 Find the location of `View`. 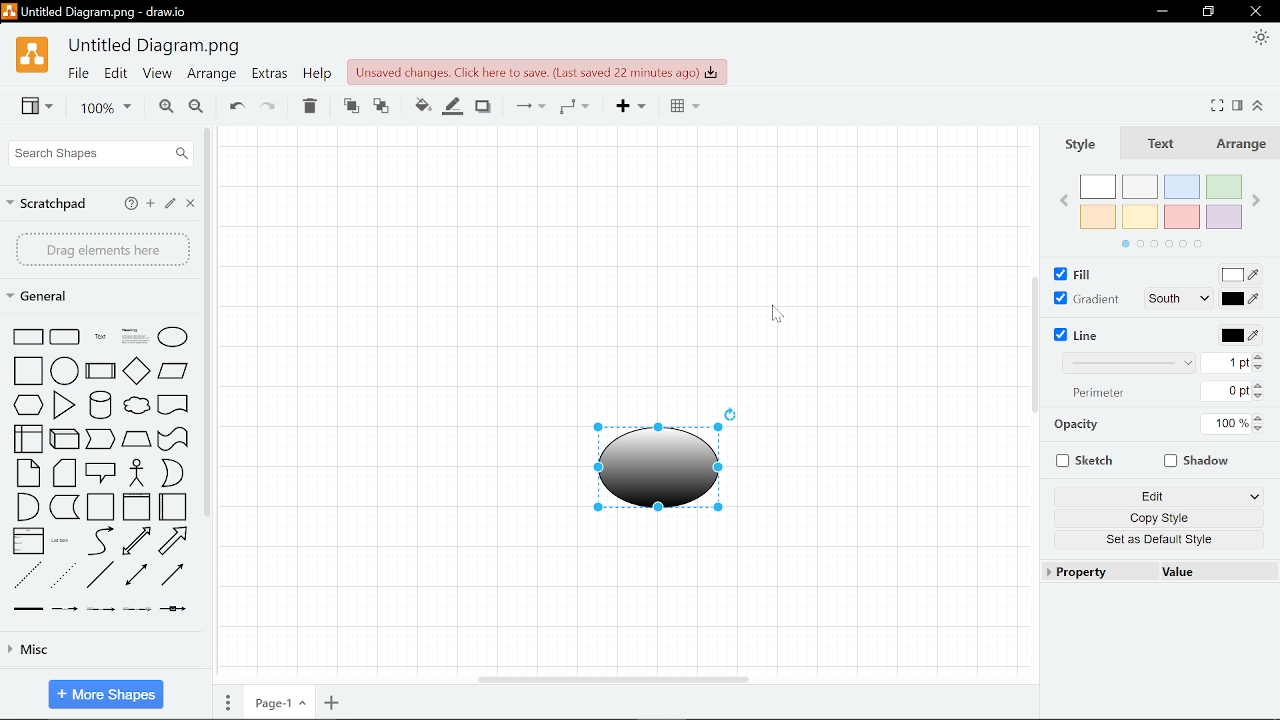

View is located at coordinates (38, 106).